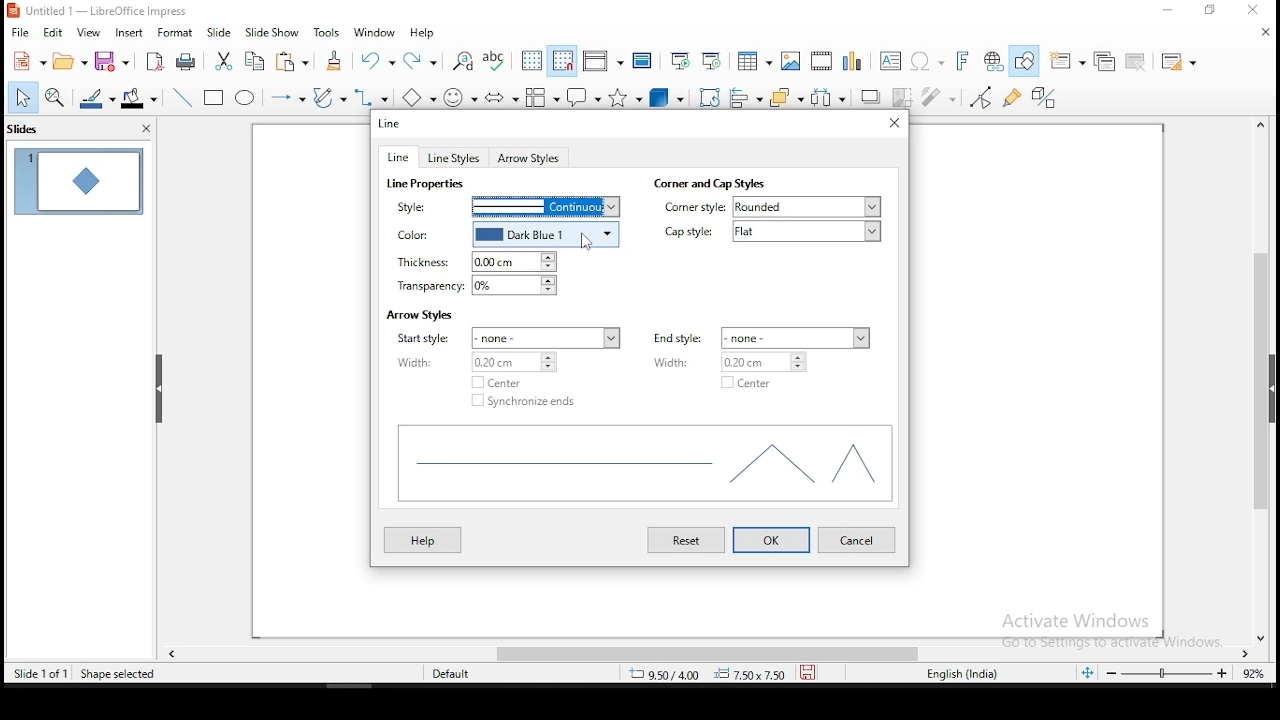  Describe the element at coordinates (179, 31) in the screenshot. I see `format` at that location.